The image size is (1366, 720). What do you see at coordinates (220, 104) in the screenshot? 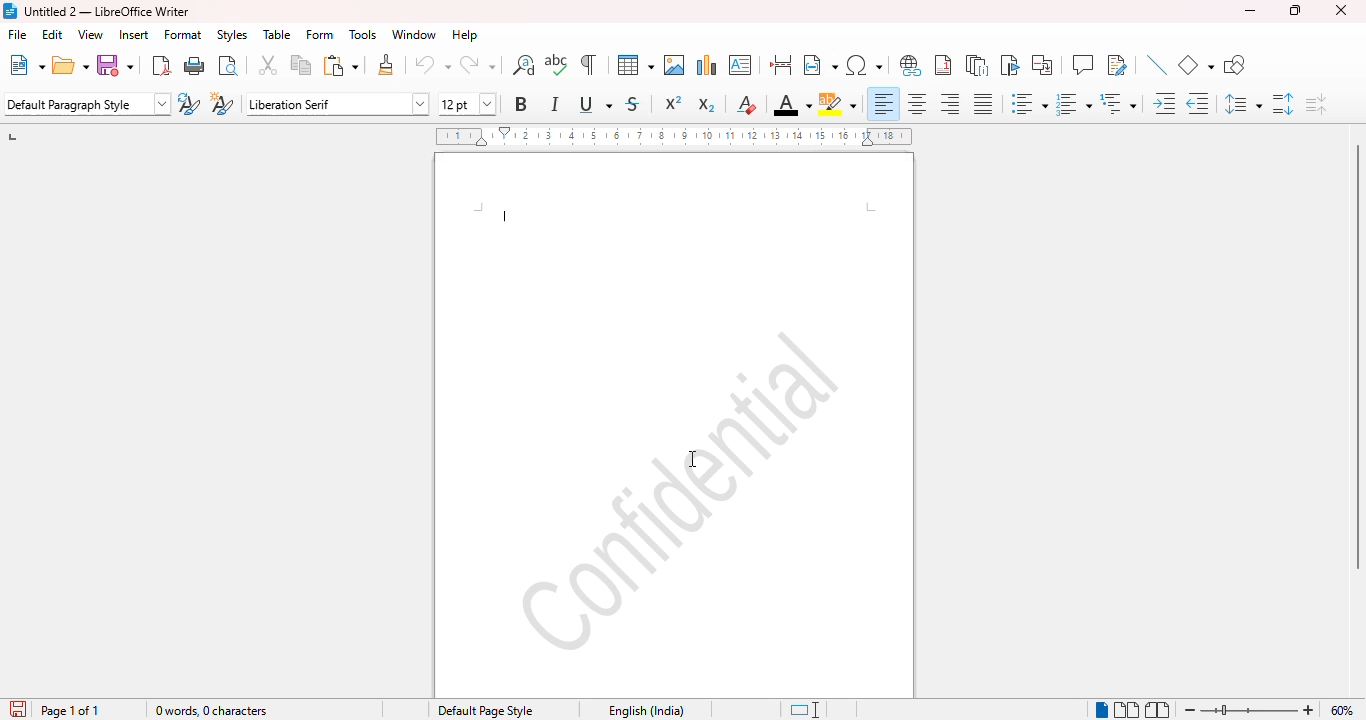
I see `new style from selection` at bounding box center [220, 104].